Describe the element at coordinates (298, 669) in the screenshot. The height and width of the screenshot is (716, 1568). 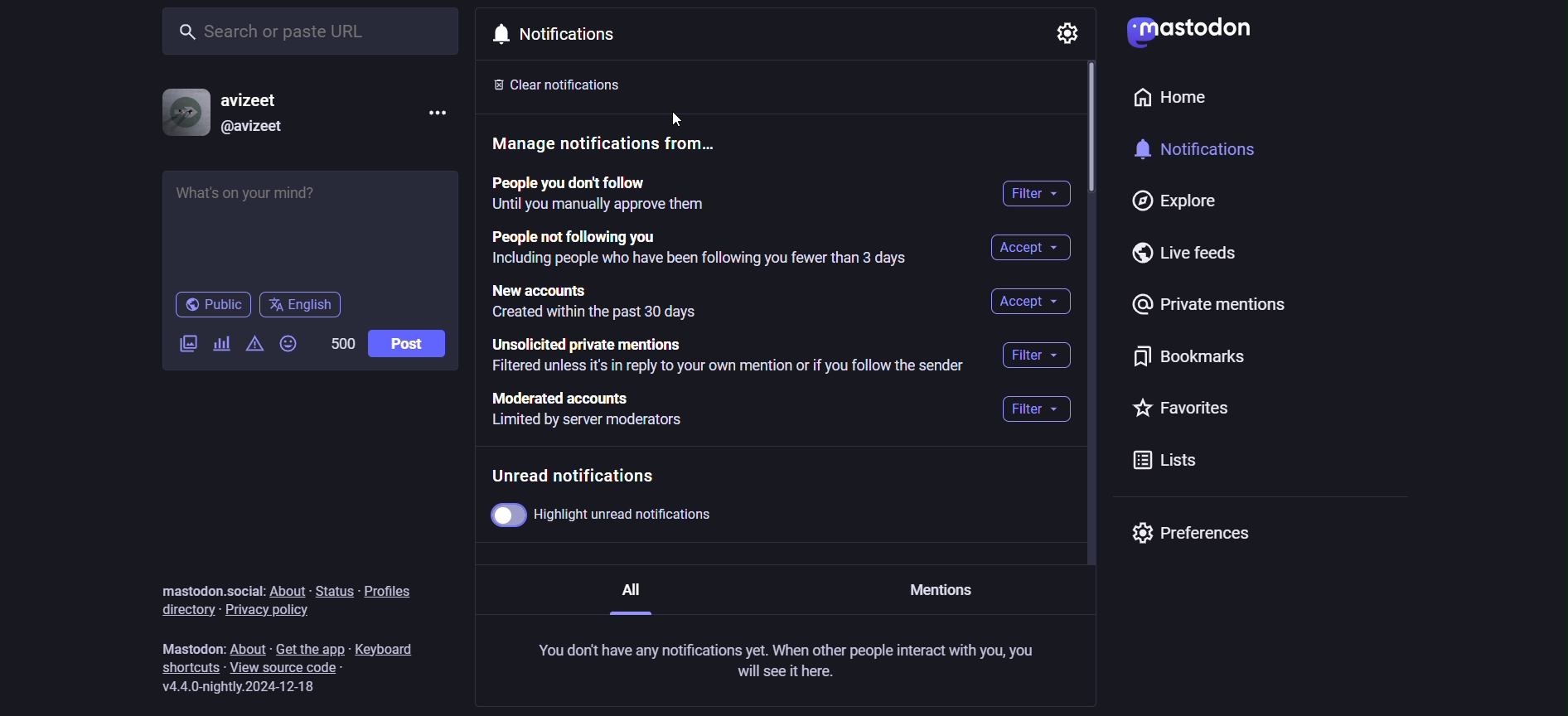
I see `view source code` at that location.